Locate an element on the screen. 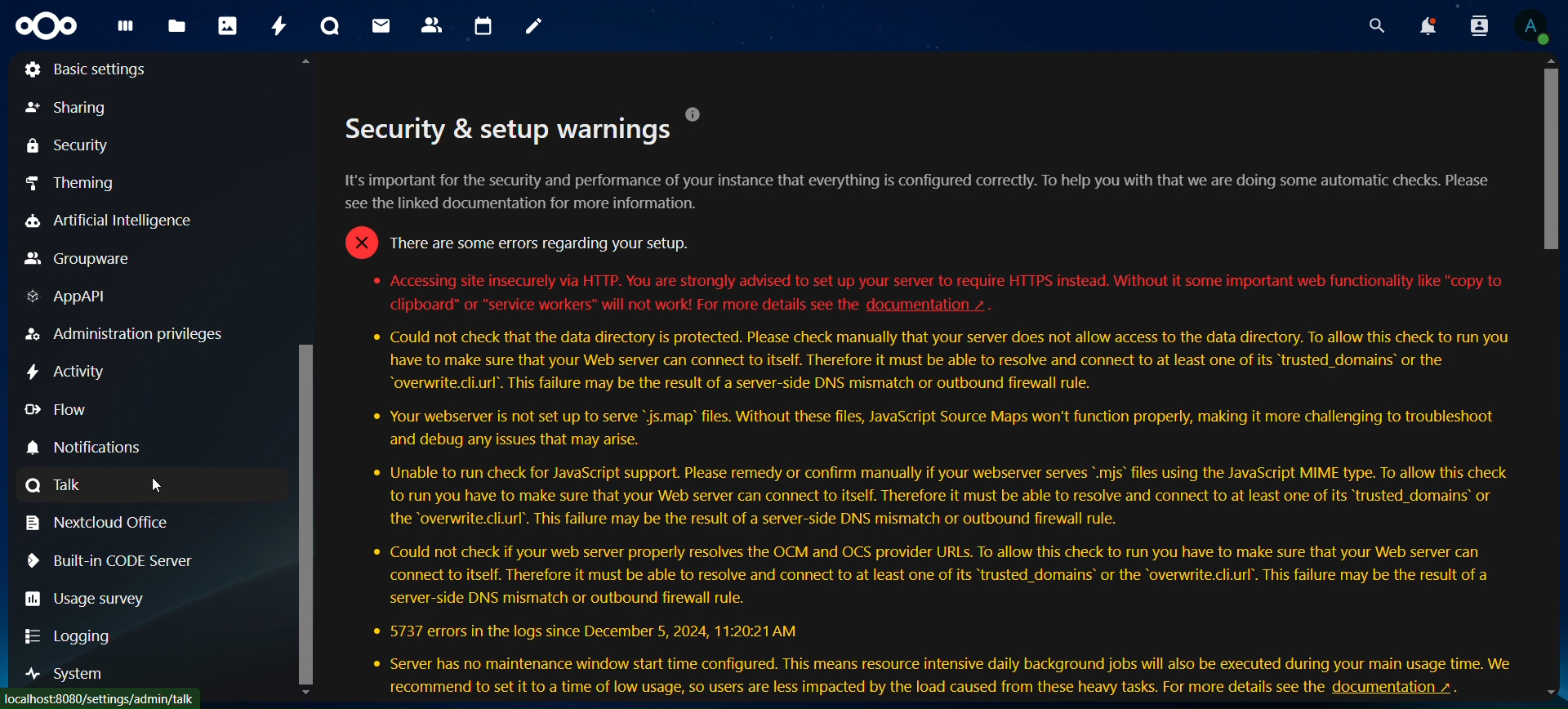 This screenshot has height=709, width=1568. security is located at coordinates (501, 132).